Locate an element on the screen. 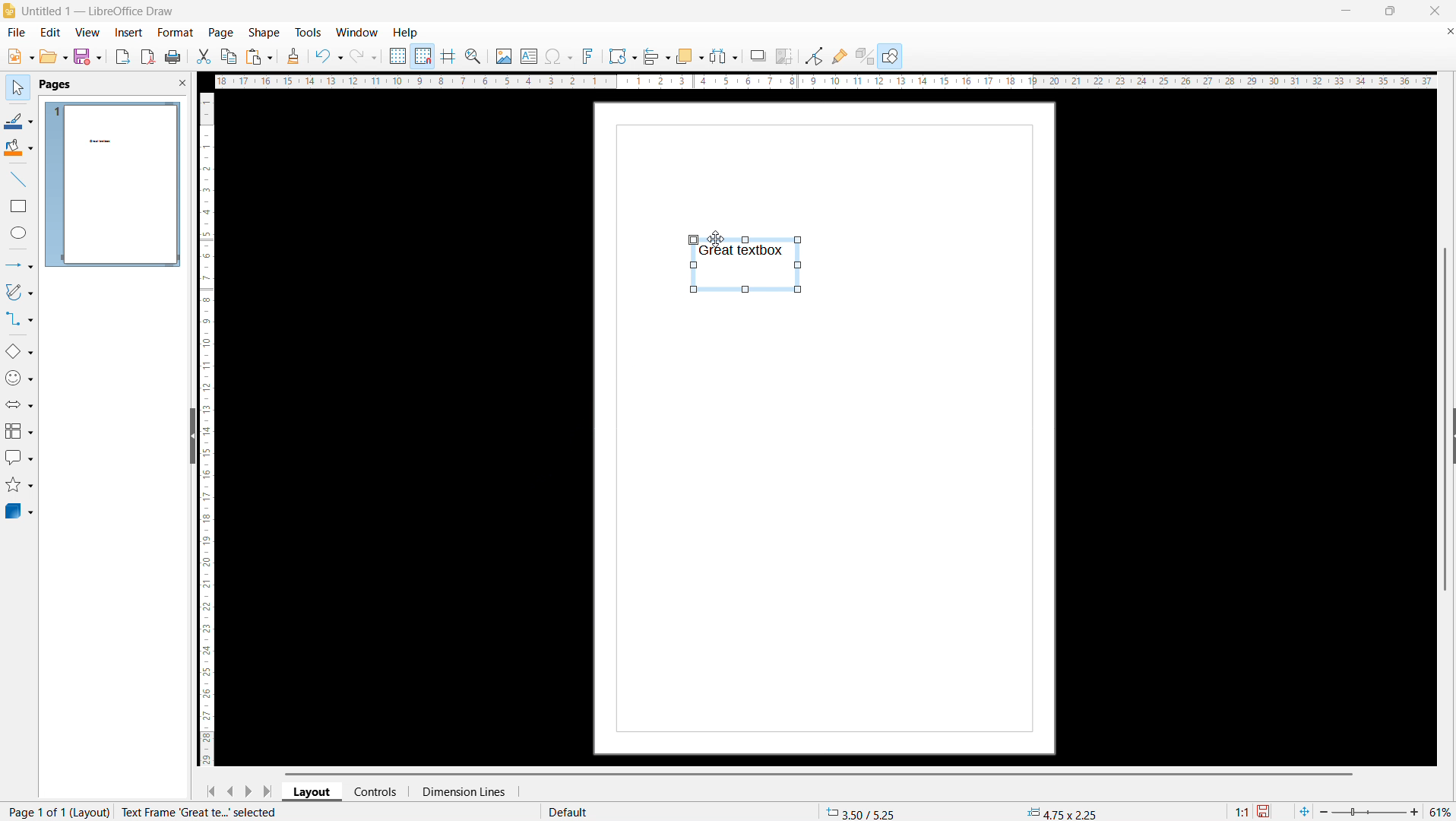 This screenshot has height=821, width=1456. go to last page is located at coordinates (267, 791).